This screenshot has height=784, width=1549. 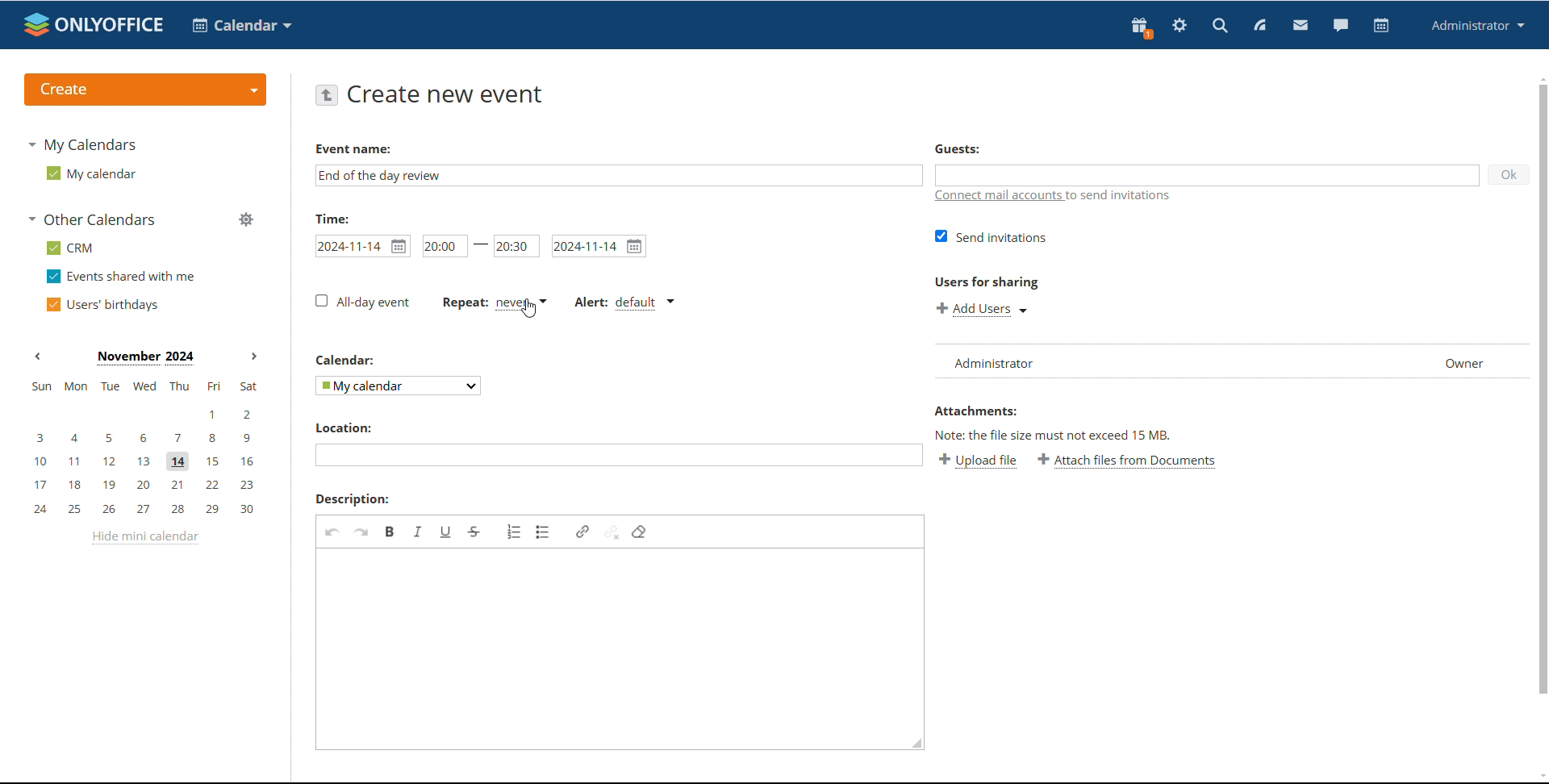 What do you see at coordinates (1259, 25) in the screenshot?
I see `feed` at bounding box center [1259, 25].